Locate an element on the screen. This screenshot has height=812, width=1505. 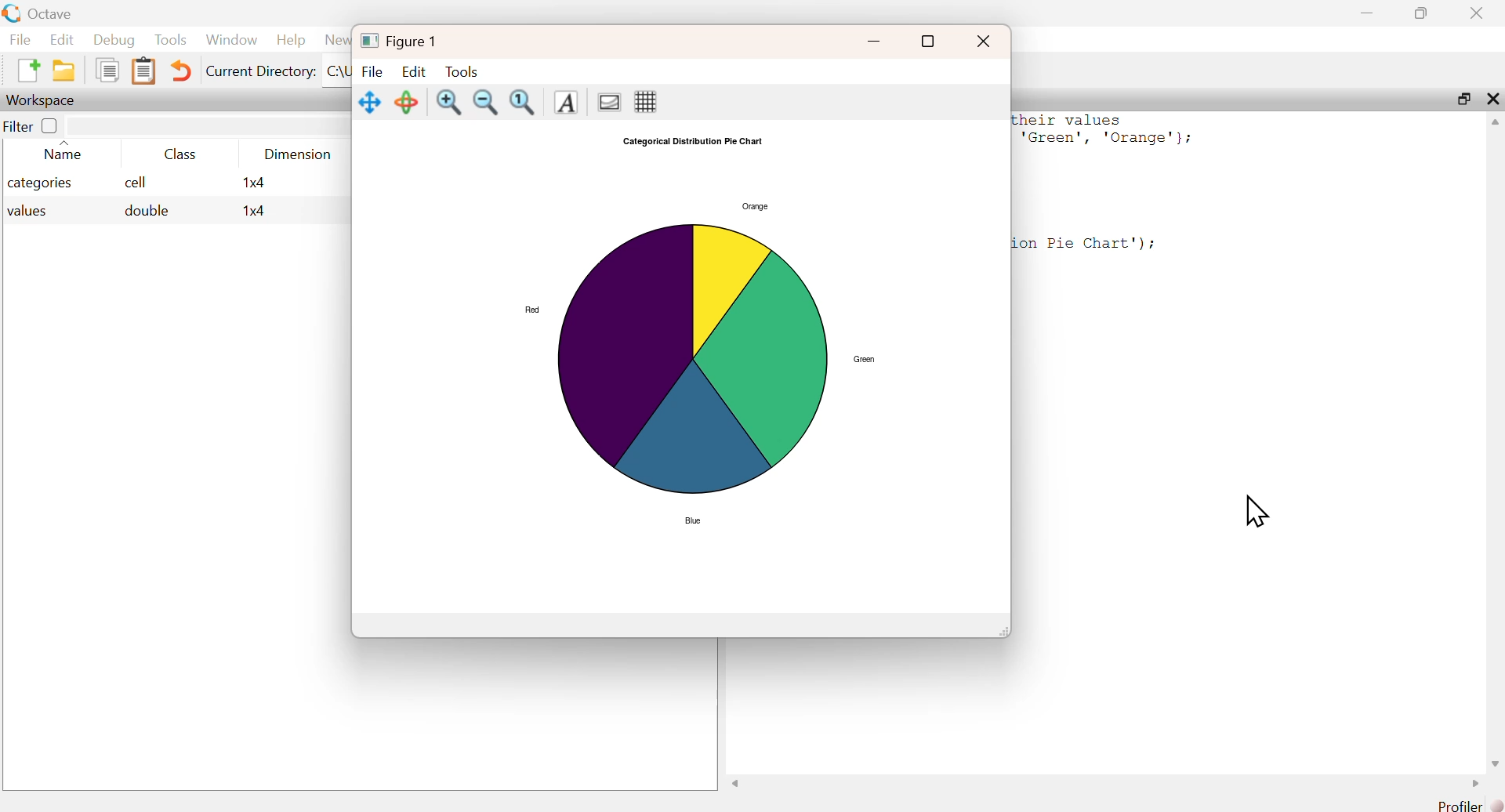
categories is located at coordinates (44, 183).